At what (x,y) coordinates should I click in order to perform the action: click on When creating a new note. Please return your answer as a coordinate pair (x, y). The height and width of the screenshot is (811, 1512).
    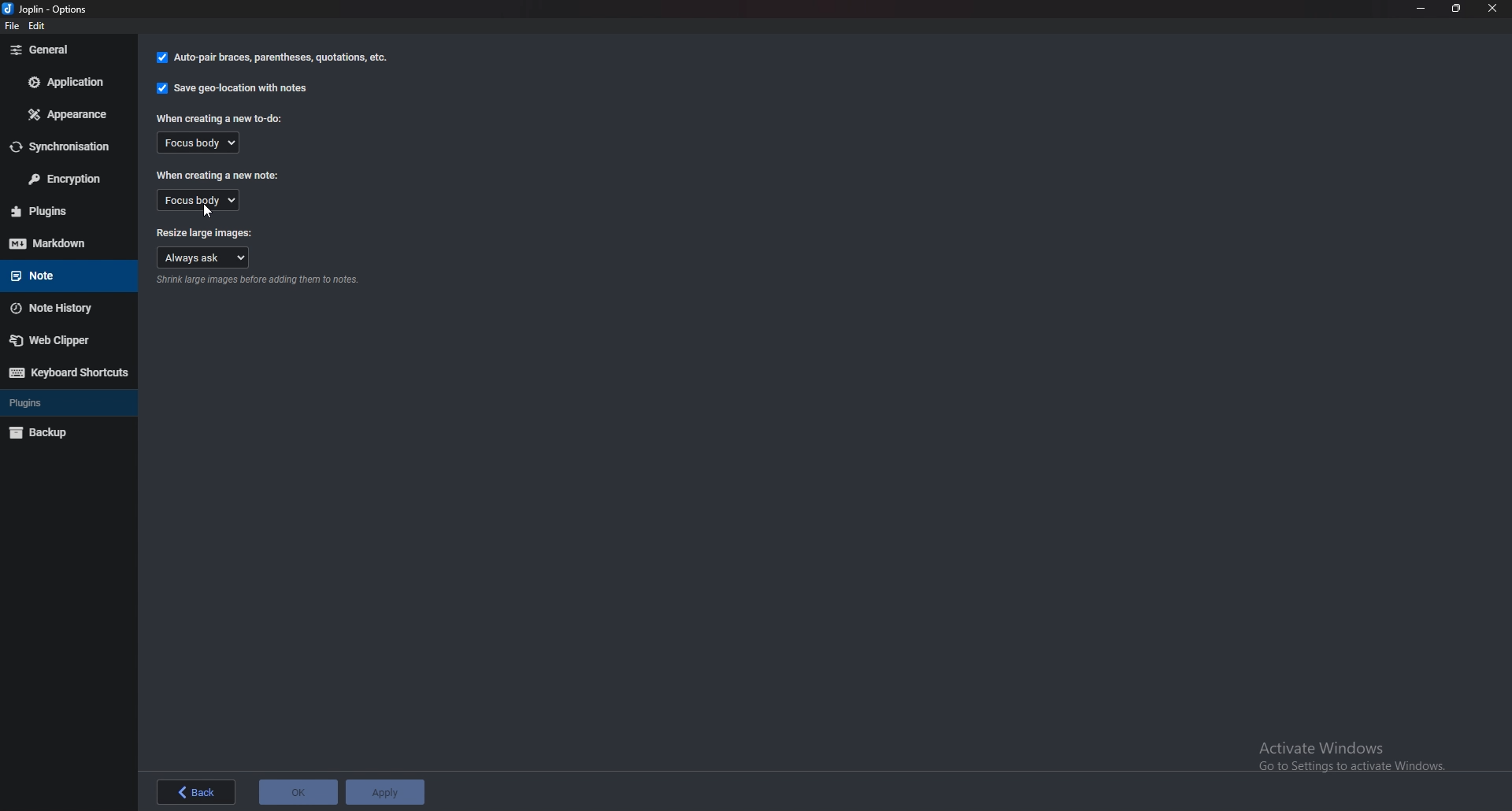
    Looking at the image, I should click on (217, 176).